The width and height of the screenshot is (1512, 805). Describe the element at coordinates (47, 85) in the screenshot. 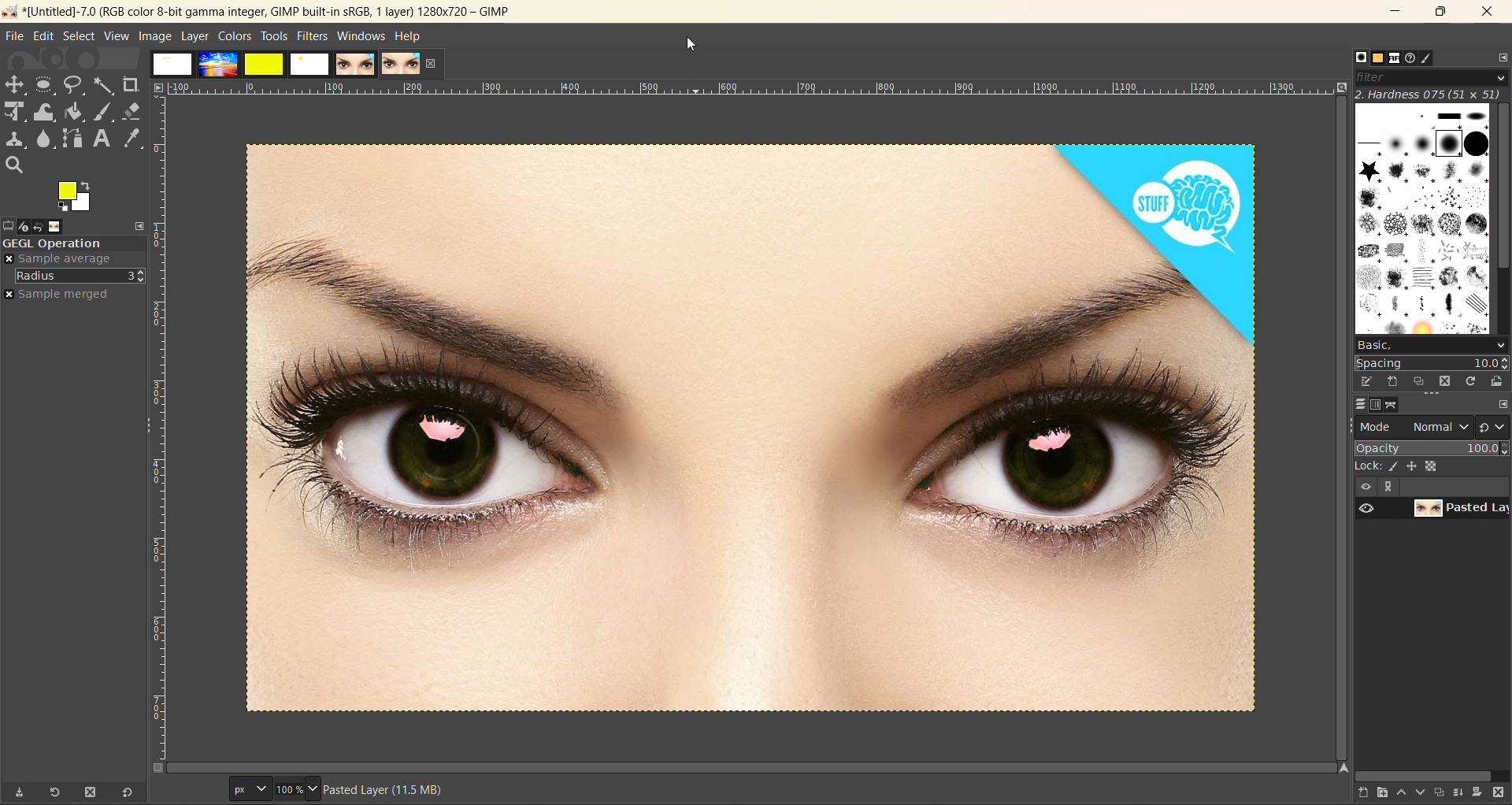

I see `rectangle select` at that location.